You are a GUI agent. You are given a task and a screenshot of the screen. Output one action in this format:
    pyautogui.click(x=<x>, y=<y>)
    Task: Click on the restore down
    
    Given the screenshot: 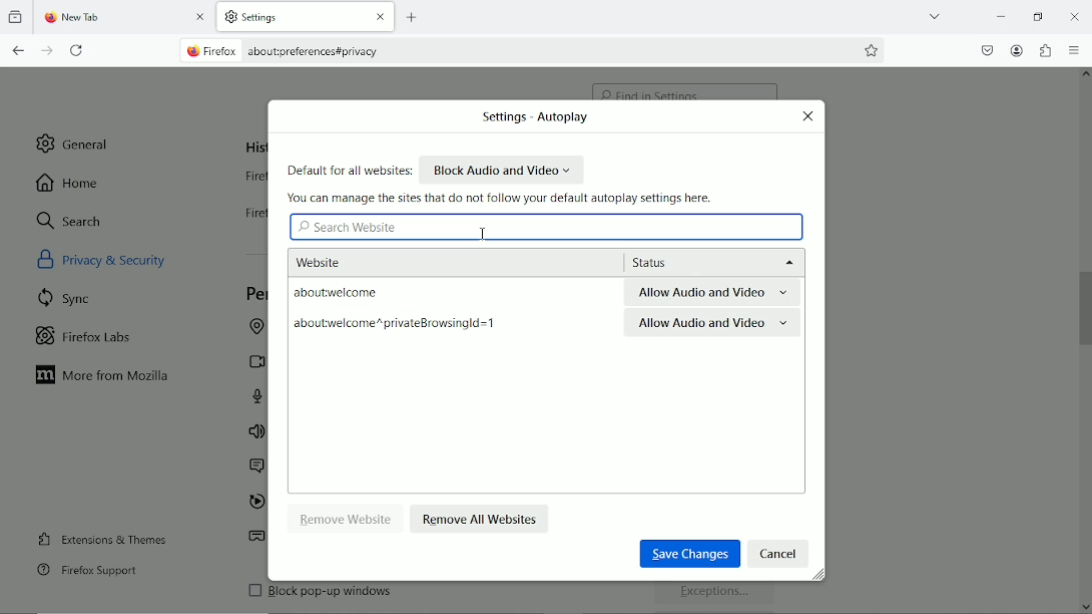 What is the action you would take?
    pyautogui.click(x=1038, y=14)
    